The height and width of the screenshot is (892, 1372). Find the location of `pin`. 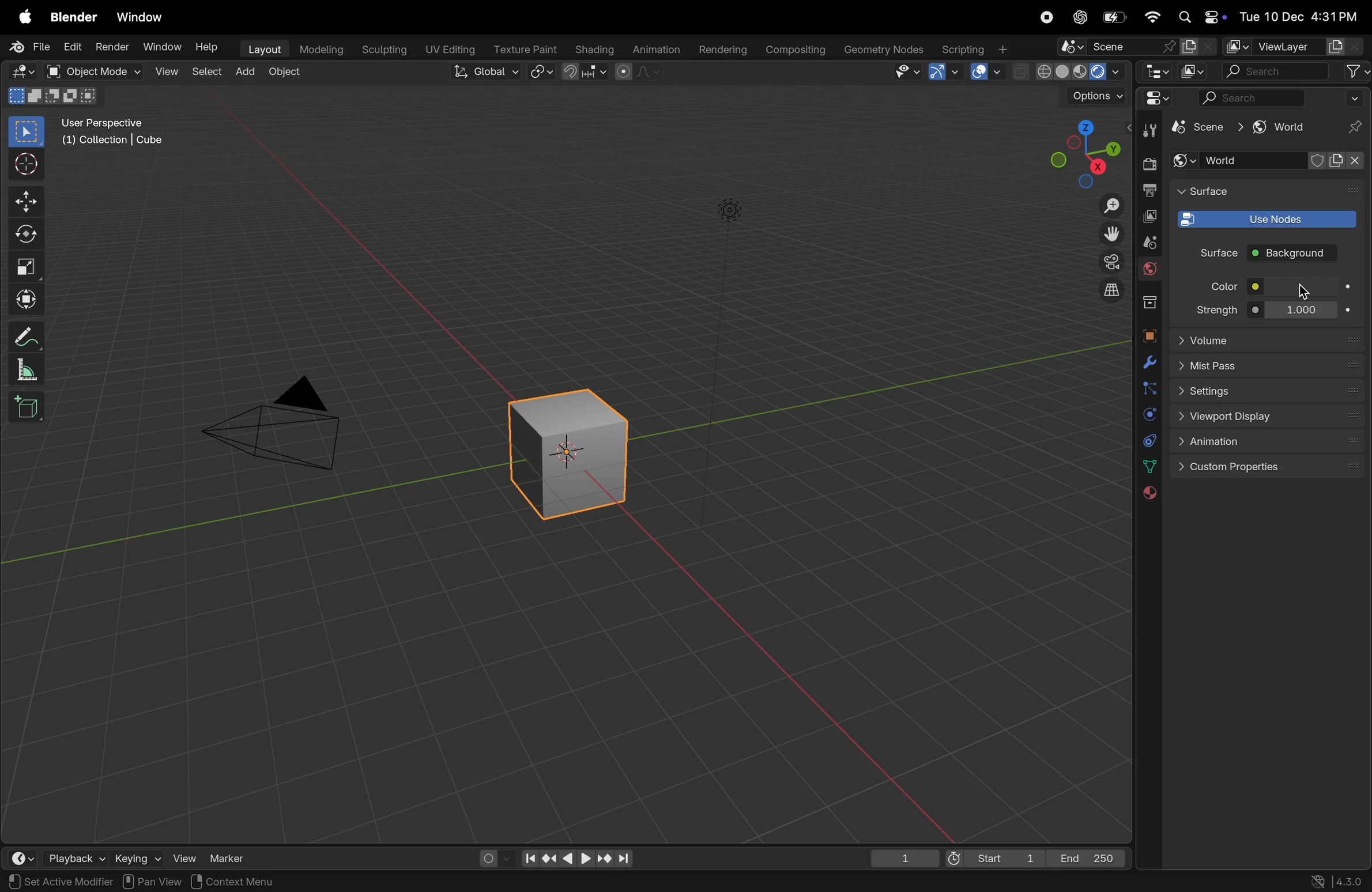

pin is located at coordinates (1356, 127).